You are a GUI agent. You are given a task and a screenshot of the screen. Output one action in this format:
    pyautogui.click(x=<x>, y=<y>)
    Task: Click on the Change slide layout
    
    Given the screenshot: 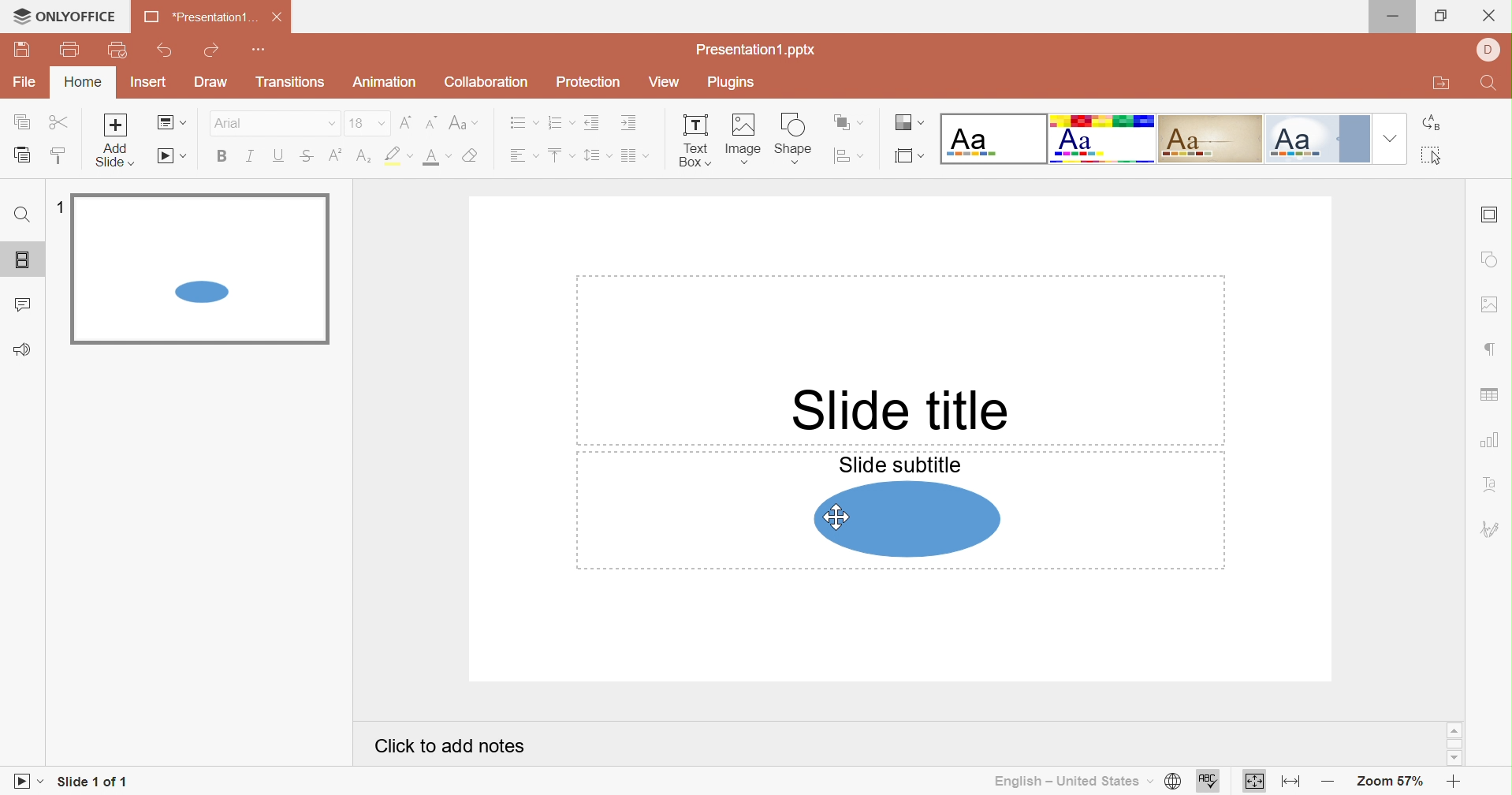 What is the action you would take?
    pyautogui.click(x=171, y=124)
    